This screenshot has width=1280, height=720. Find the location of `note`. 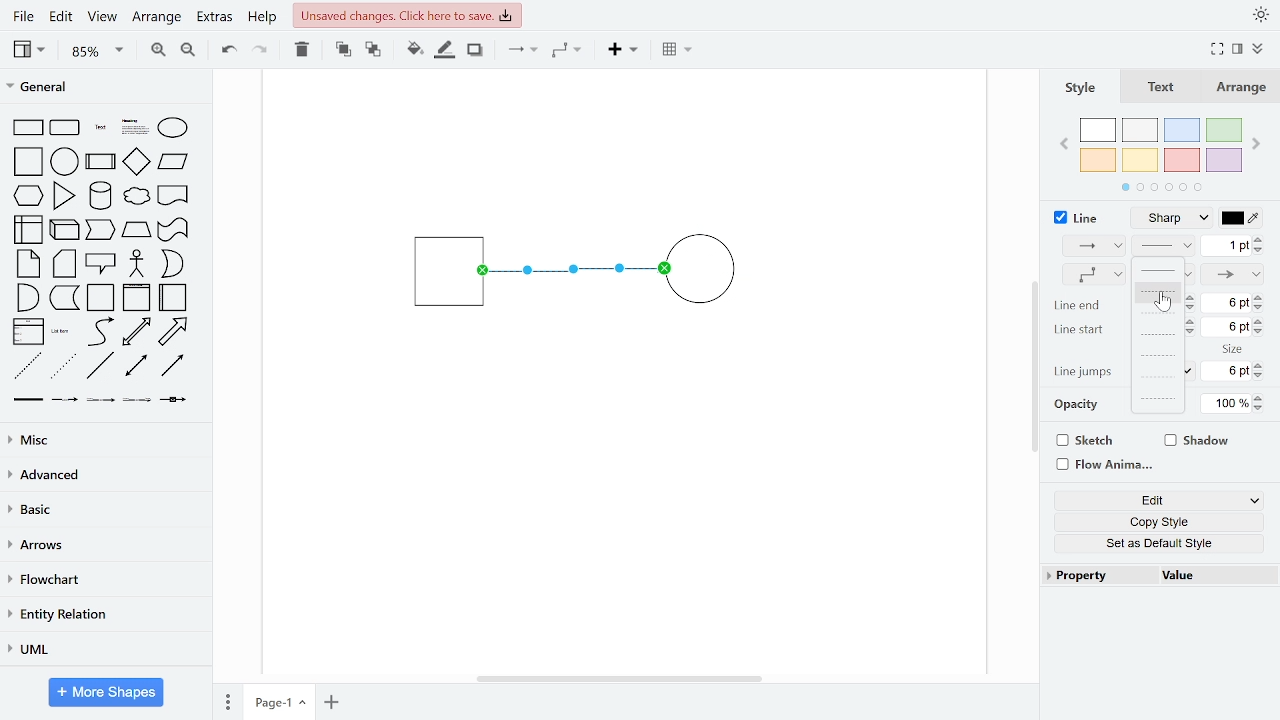

note is located at coordinates (30, 263).